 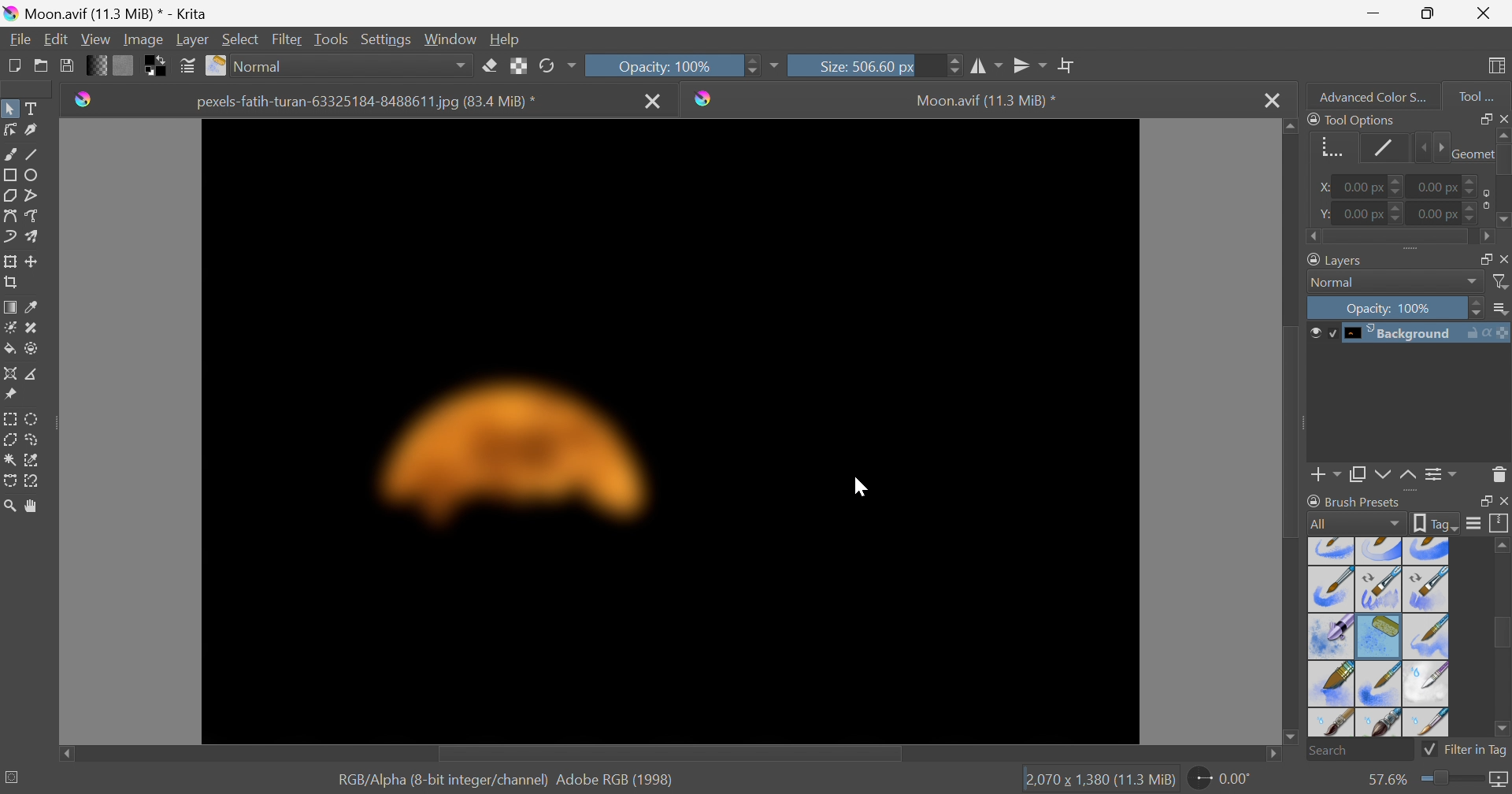 I want to click on , so click(x=1351, y=121).